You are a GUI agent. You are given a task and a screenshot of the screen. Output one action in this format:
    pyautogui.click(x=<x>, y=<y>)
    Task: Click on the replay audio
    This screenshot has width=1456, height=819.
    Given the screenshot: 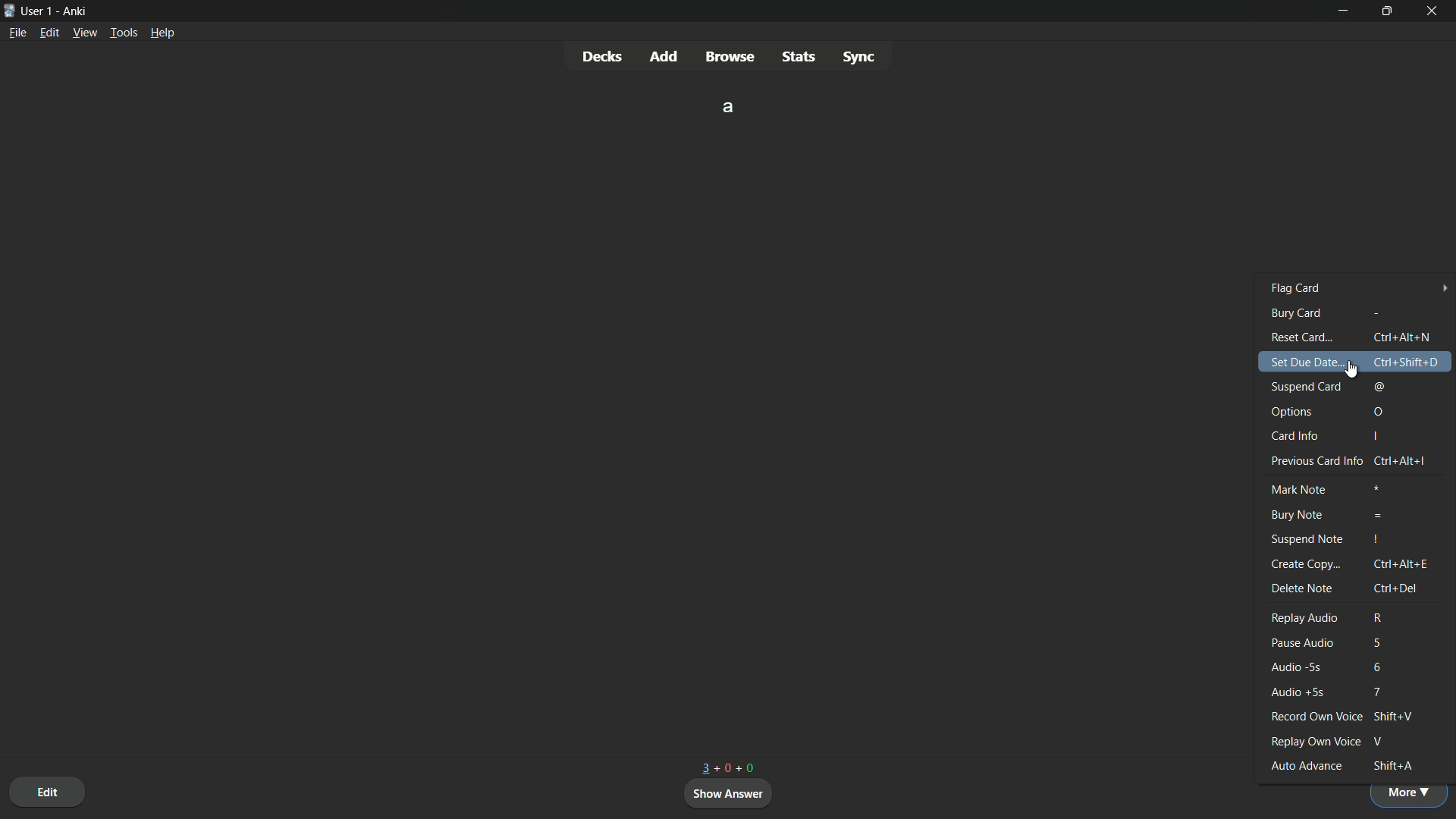 What is the action you would take?
    pyautogui.click(x=1304, y=617)
    